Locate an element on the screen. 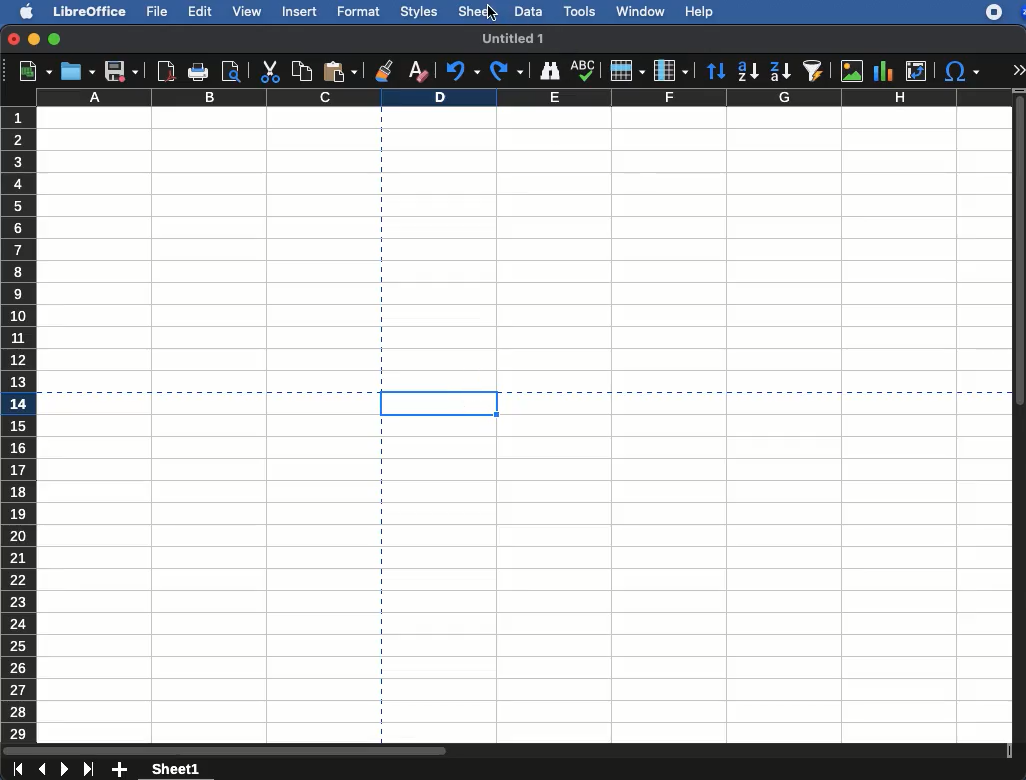 The width and height of the screenshot is (1026, 780). special character is located at coordinates (962, 71).